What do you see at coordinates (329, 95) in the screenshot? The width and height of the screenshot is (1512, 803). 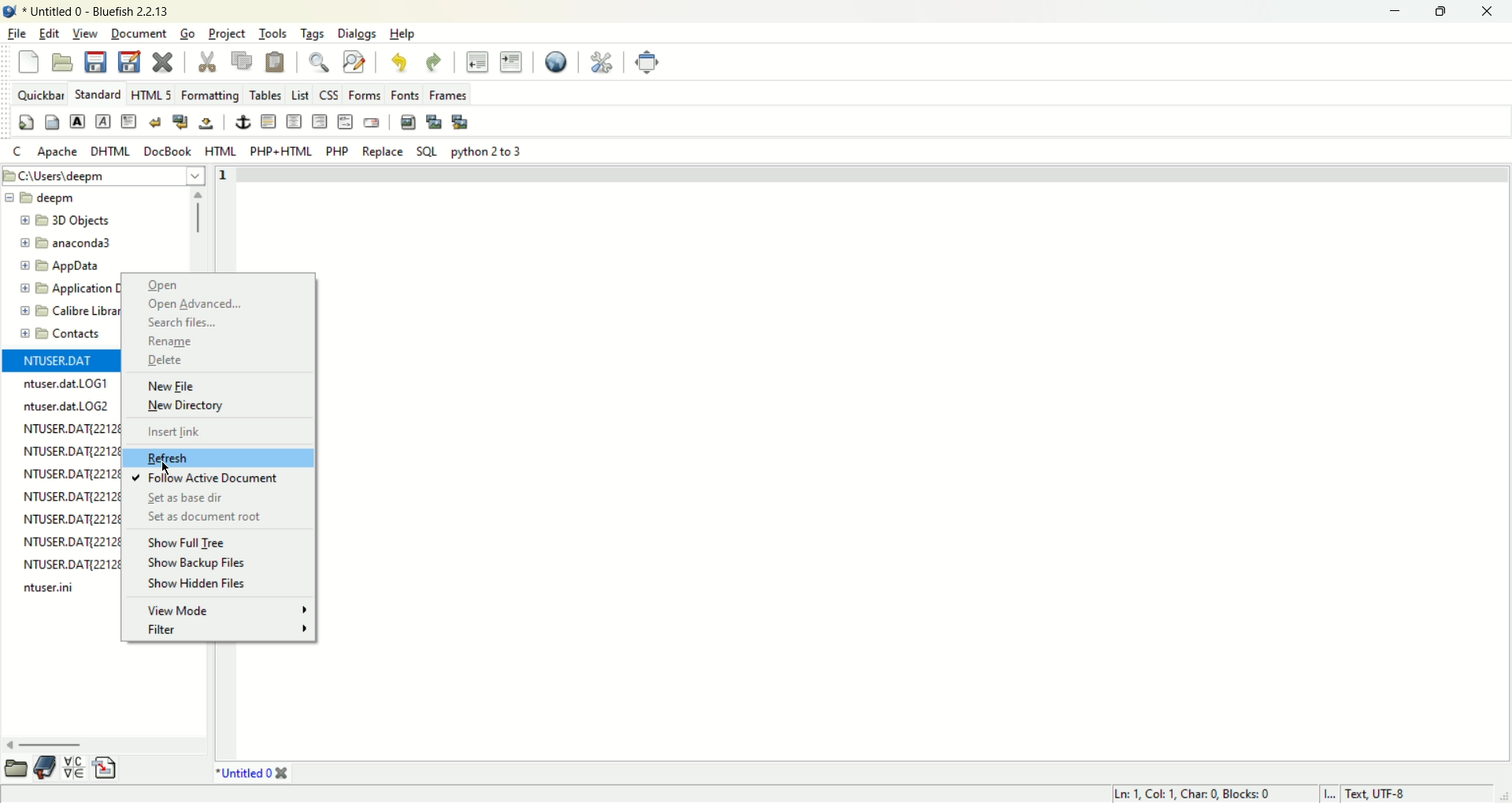 I see `css` at bounding box center [329, 95].